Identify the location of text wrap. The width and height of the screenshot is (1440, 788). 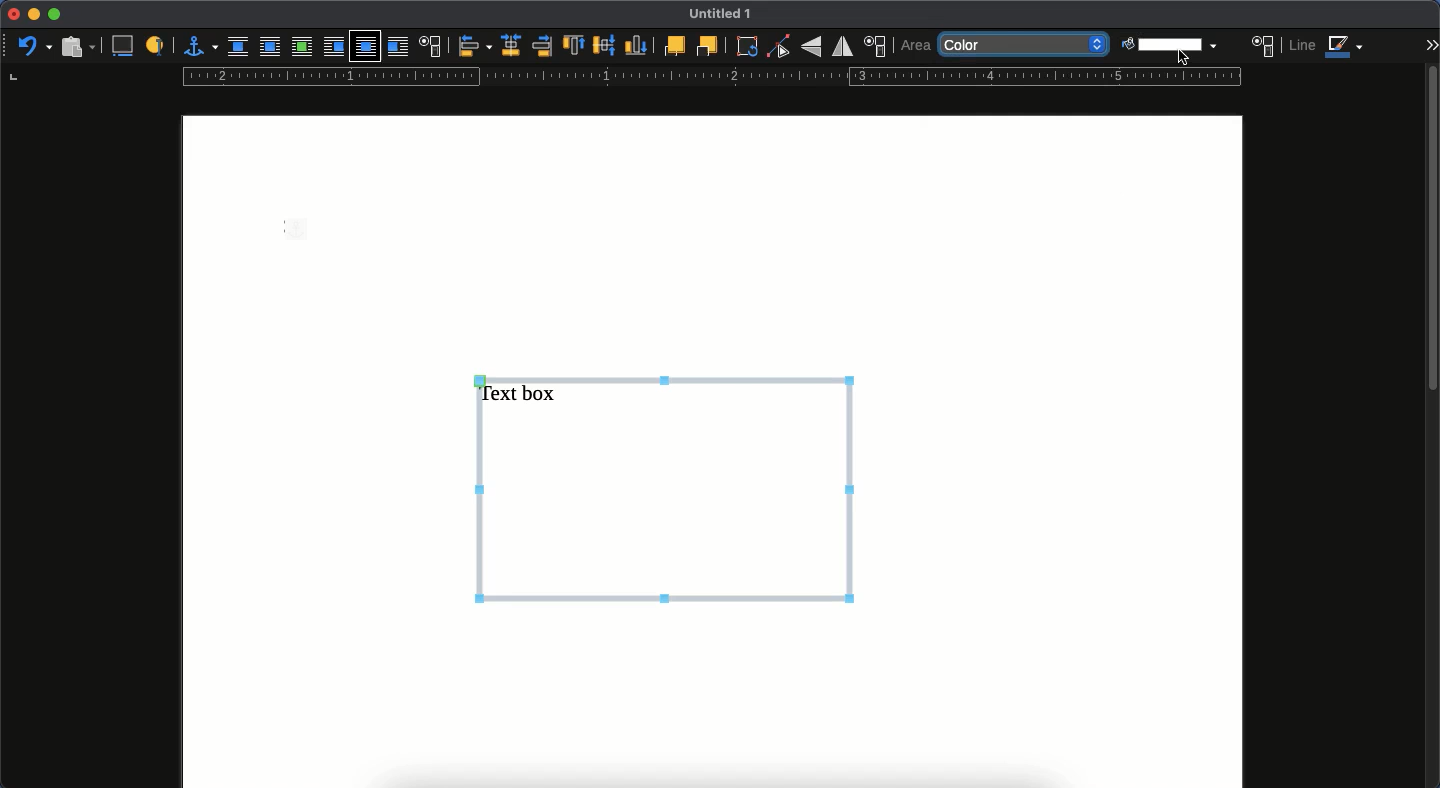
(432, 46).